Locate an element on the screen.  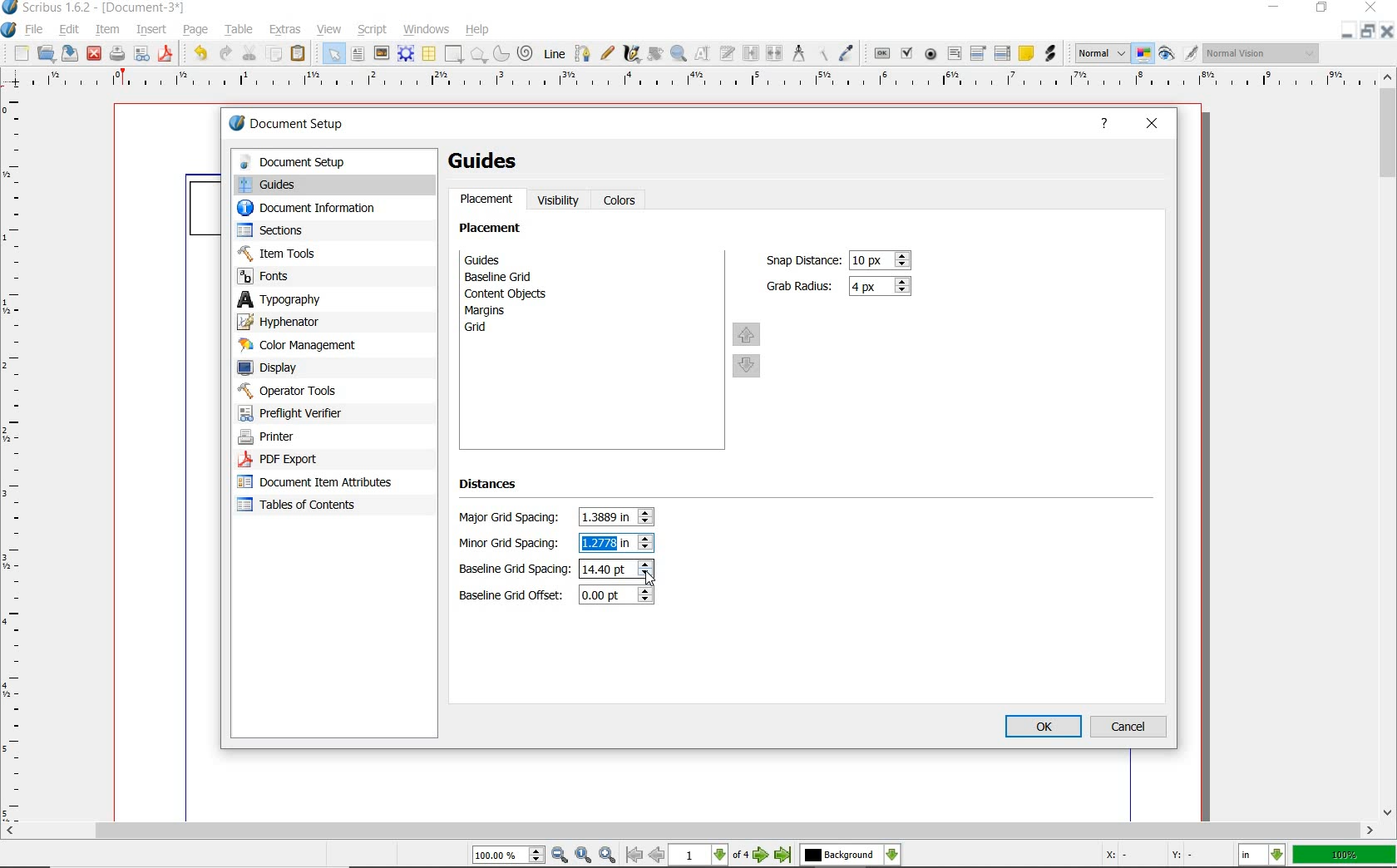
edit is located at coordinates (68, 30).